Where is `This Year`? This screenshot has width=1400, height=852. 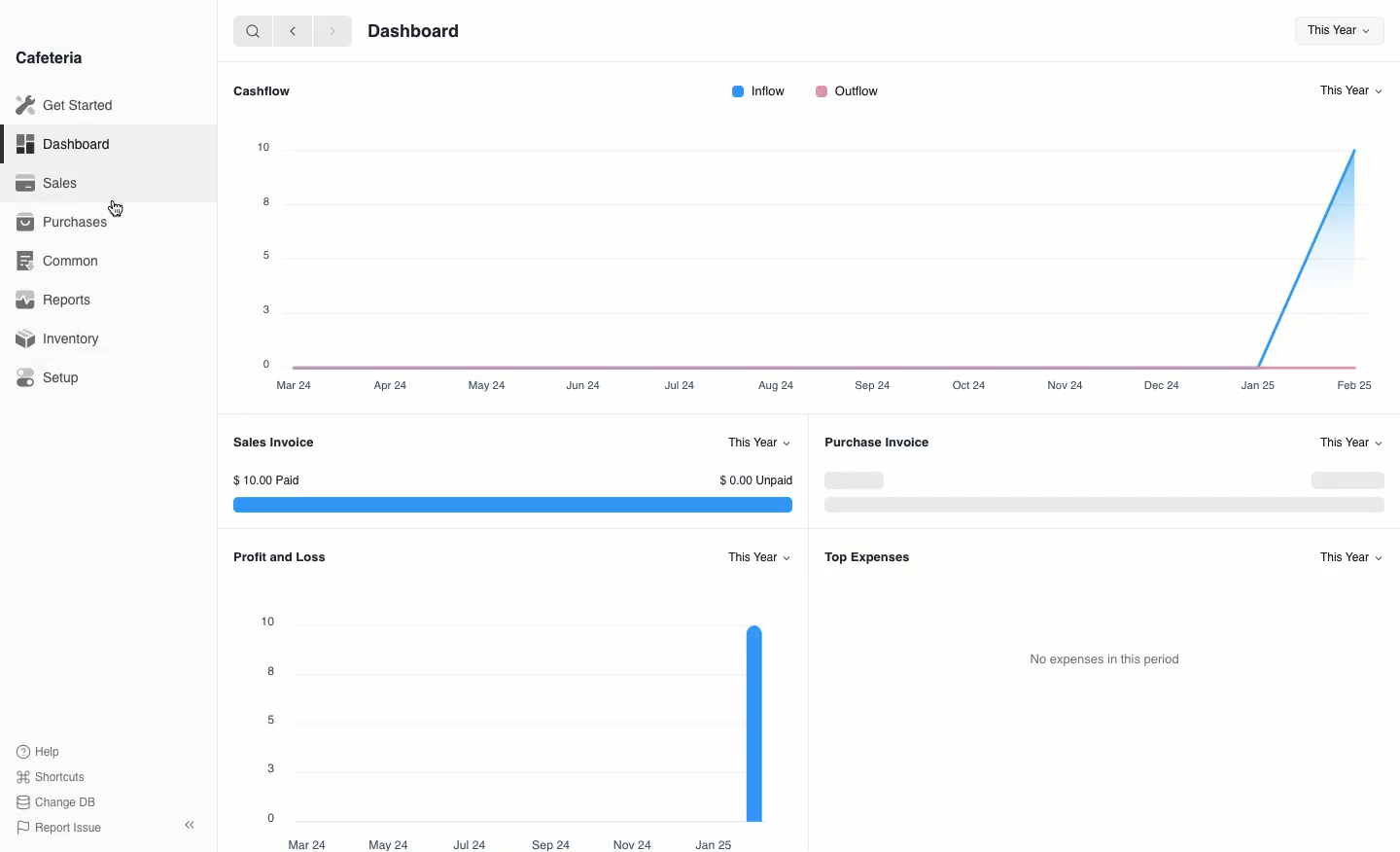 This Year is located at coordinates (757, 439).